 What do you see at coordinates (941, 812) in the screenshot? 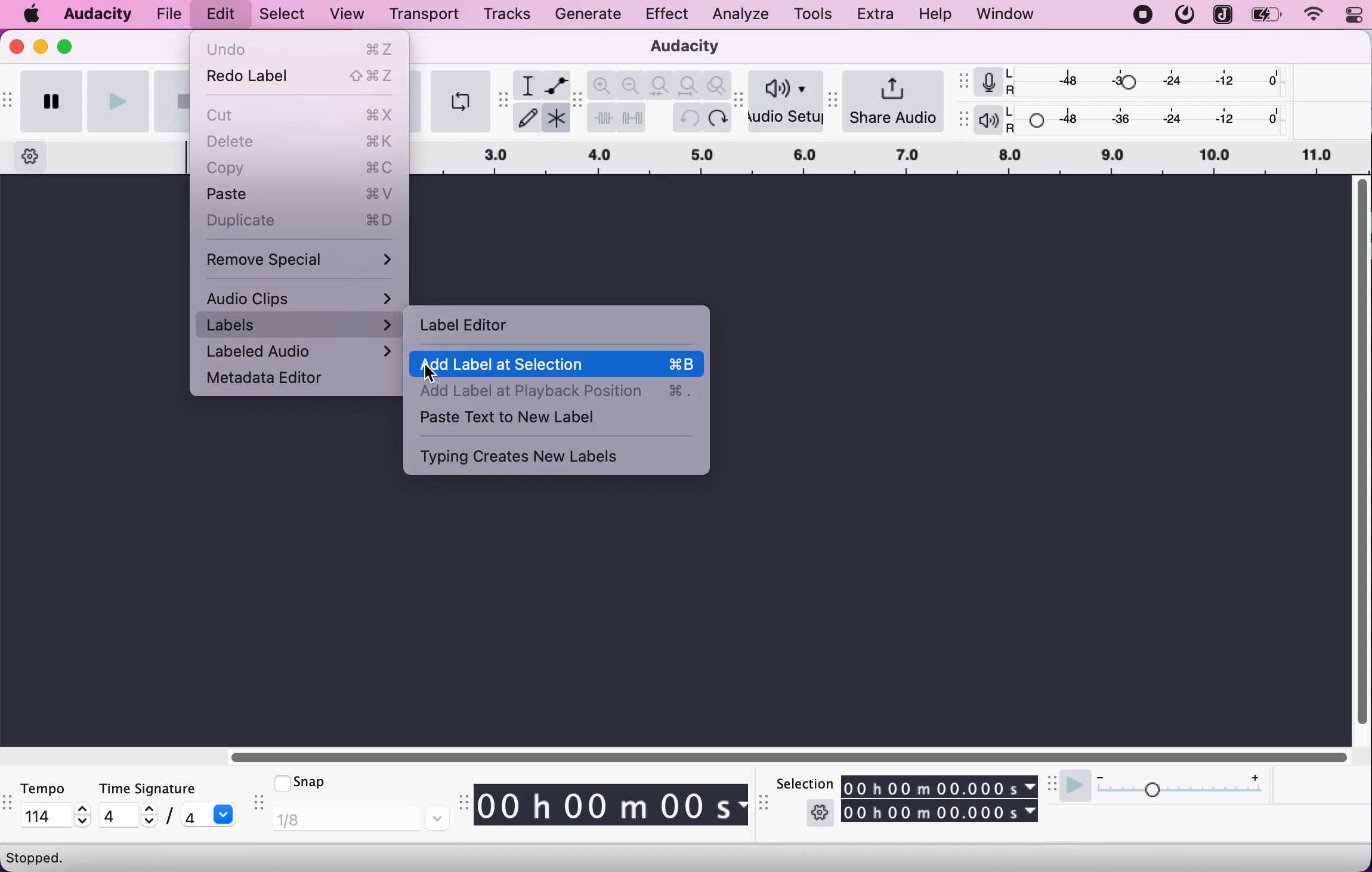
I see `track timing` at bounding box center [941, 812].